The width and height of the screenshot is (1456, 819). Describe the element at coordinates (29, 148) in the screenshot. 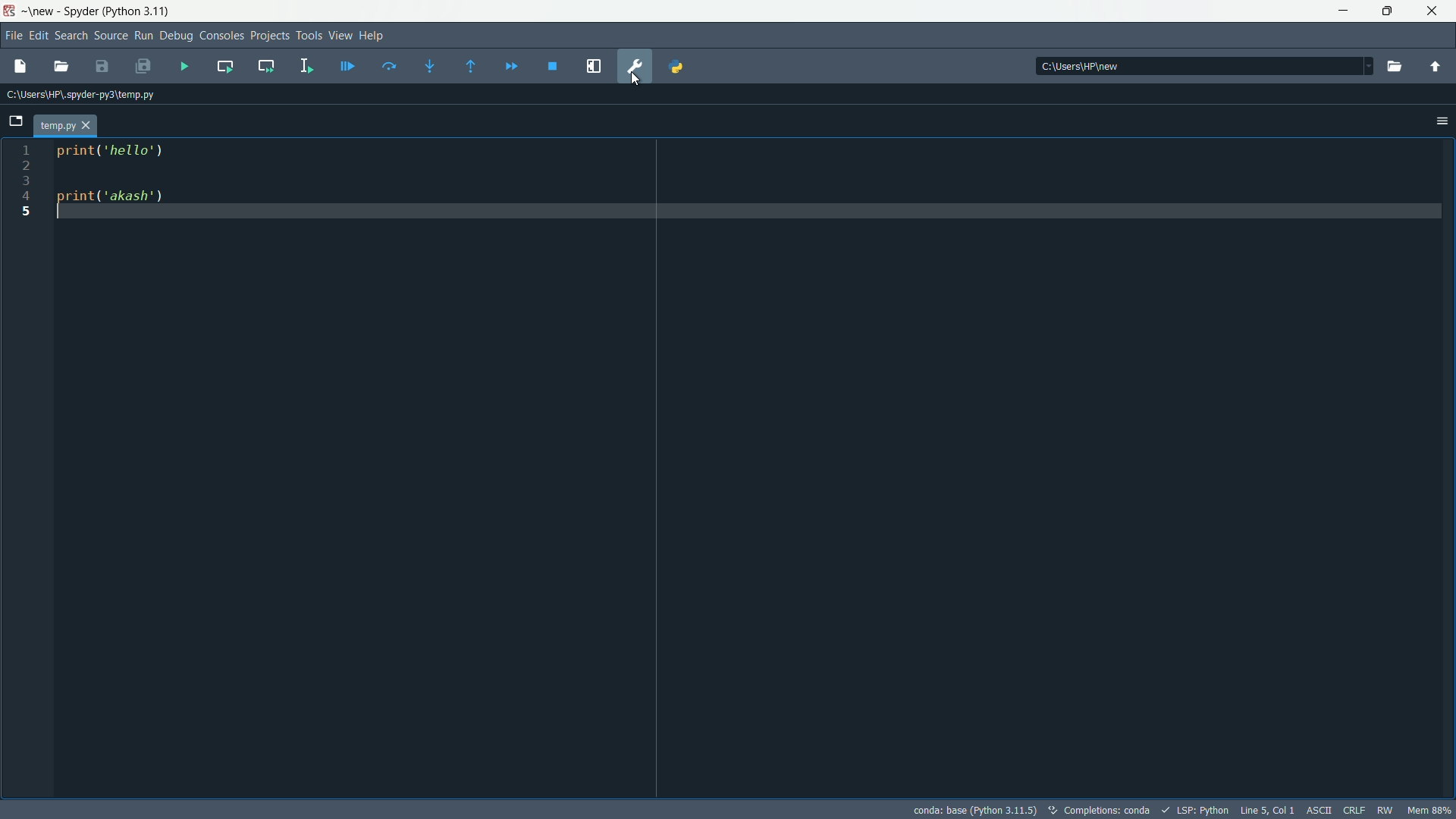

I see `1` at that location.